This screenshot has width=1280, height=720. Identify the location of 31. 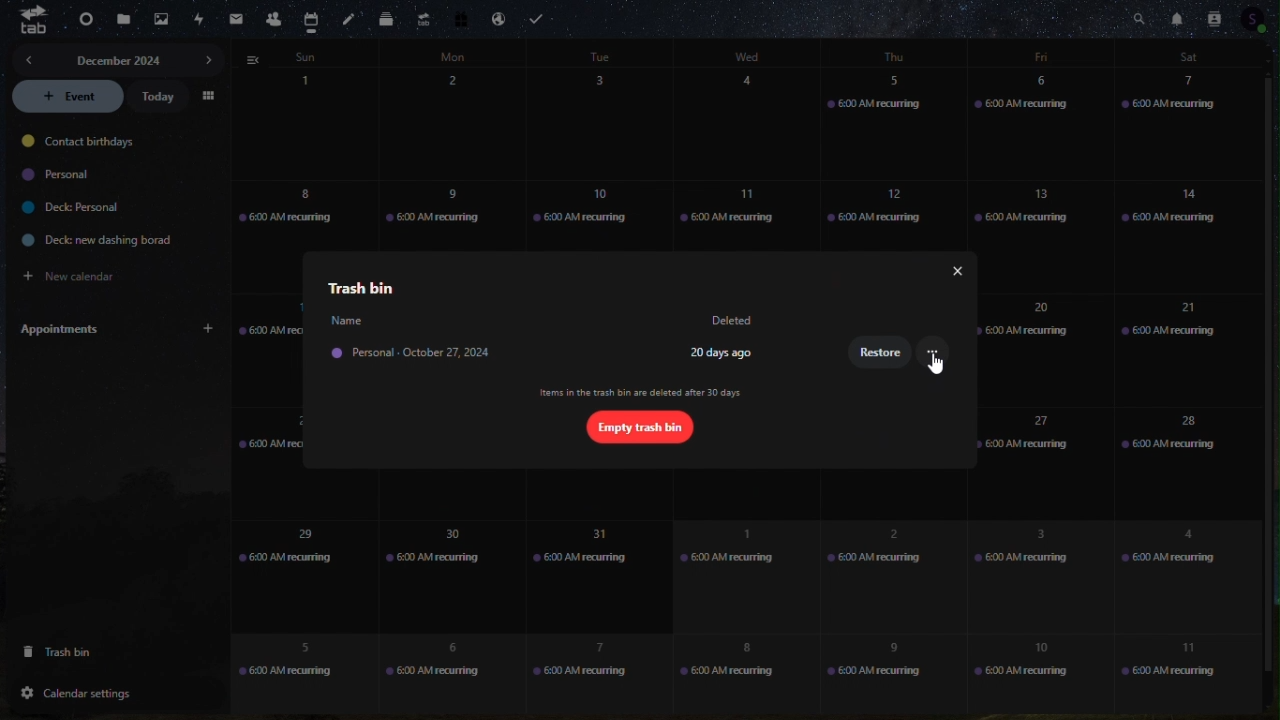
(598, 574).